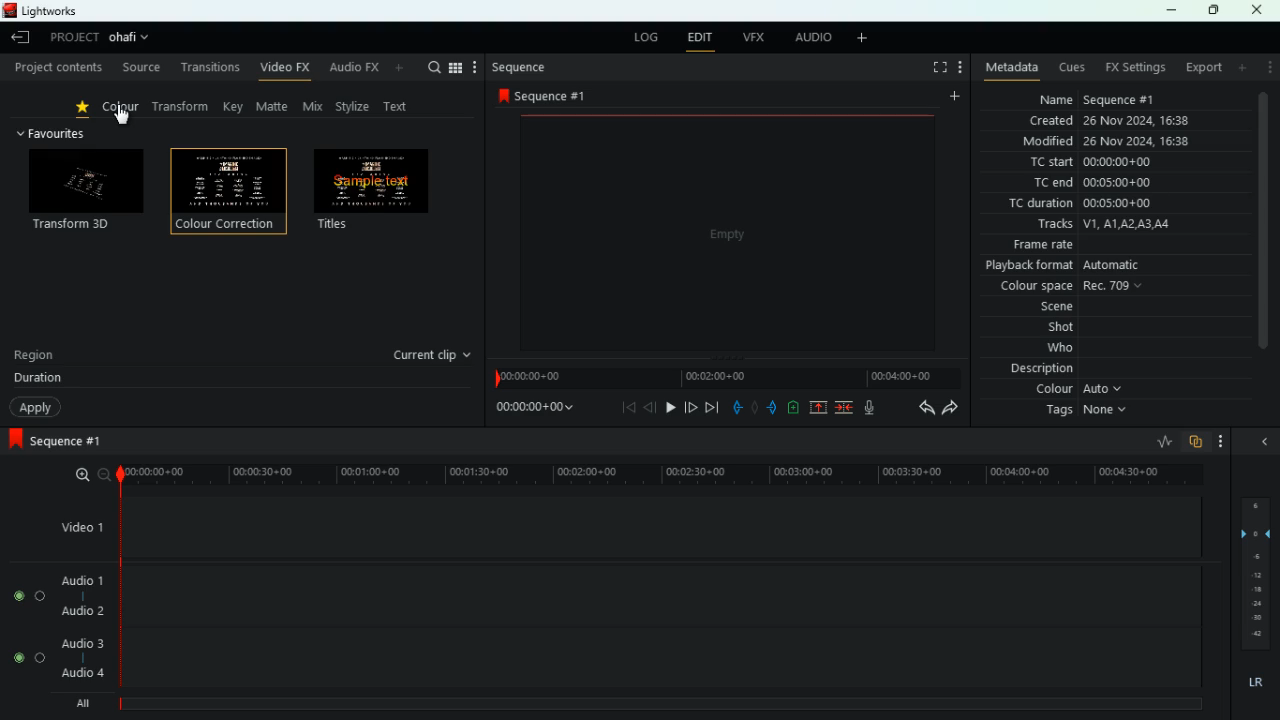 Image resolution: width=1280 pixels, height=720 pixels. Describe the element at coordinates (873, 408) in the screenshot. I see `mic` at that location.